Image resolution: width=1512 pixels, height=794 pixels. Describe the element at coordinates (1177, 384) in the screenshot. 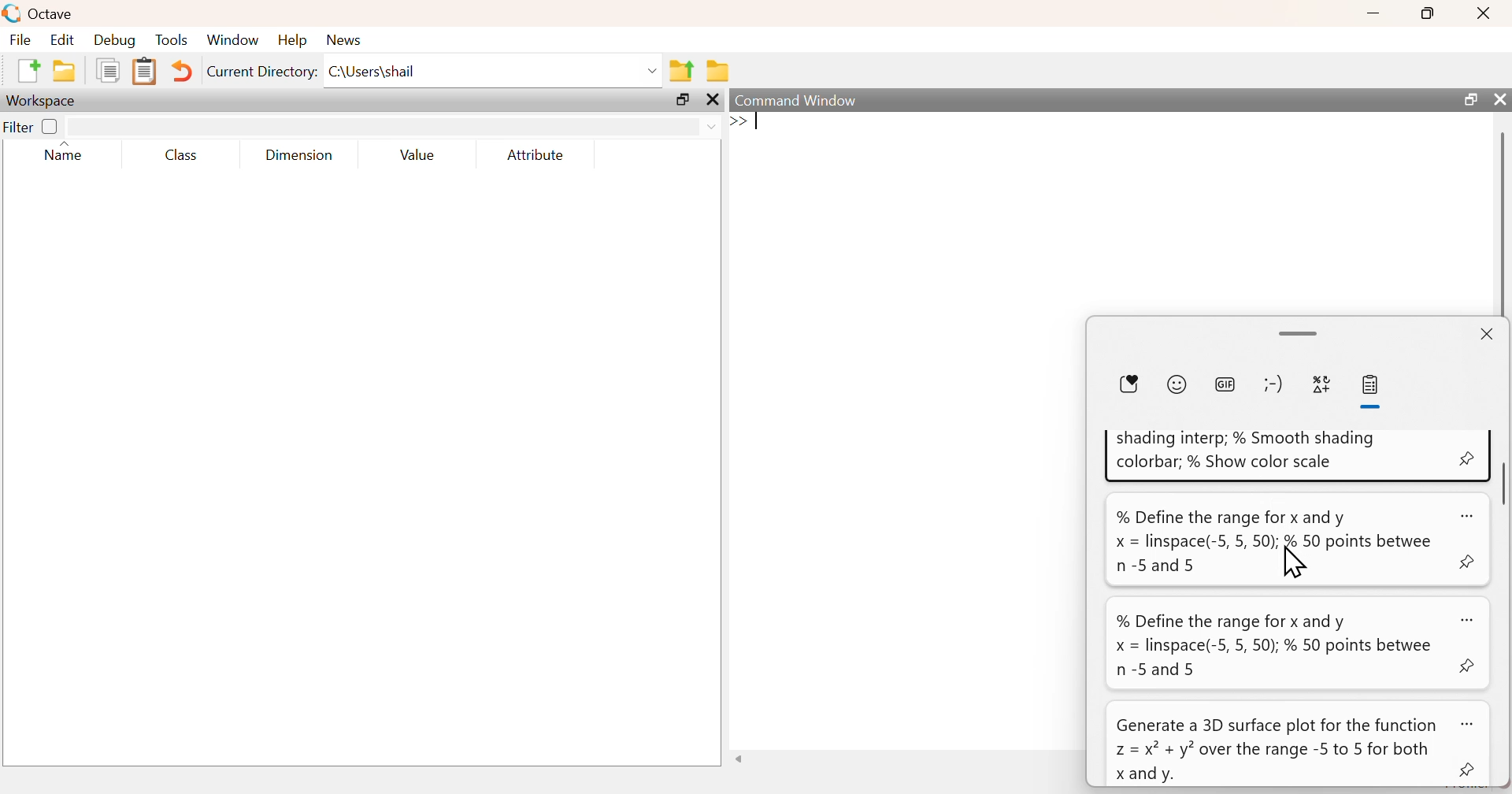

I see `Emoji` at that location.